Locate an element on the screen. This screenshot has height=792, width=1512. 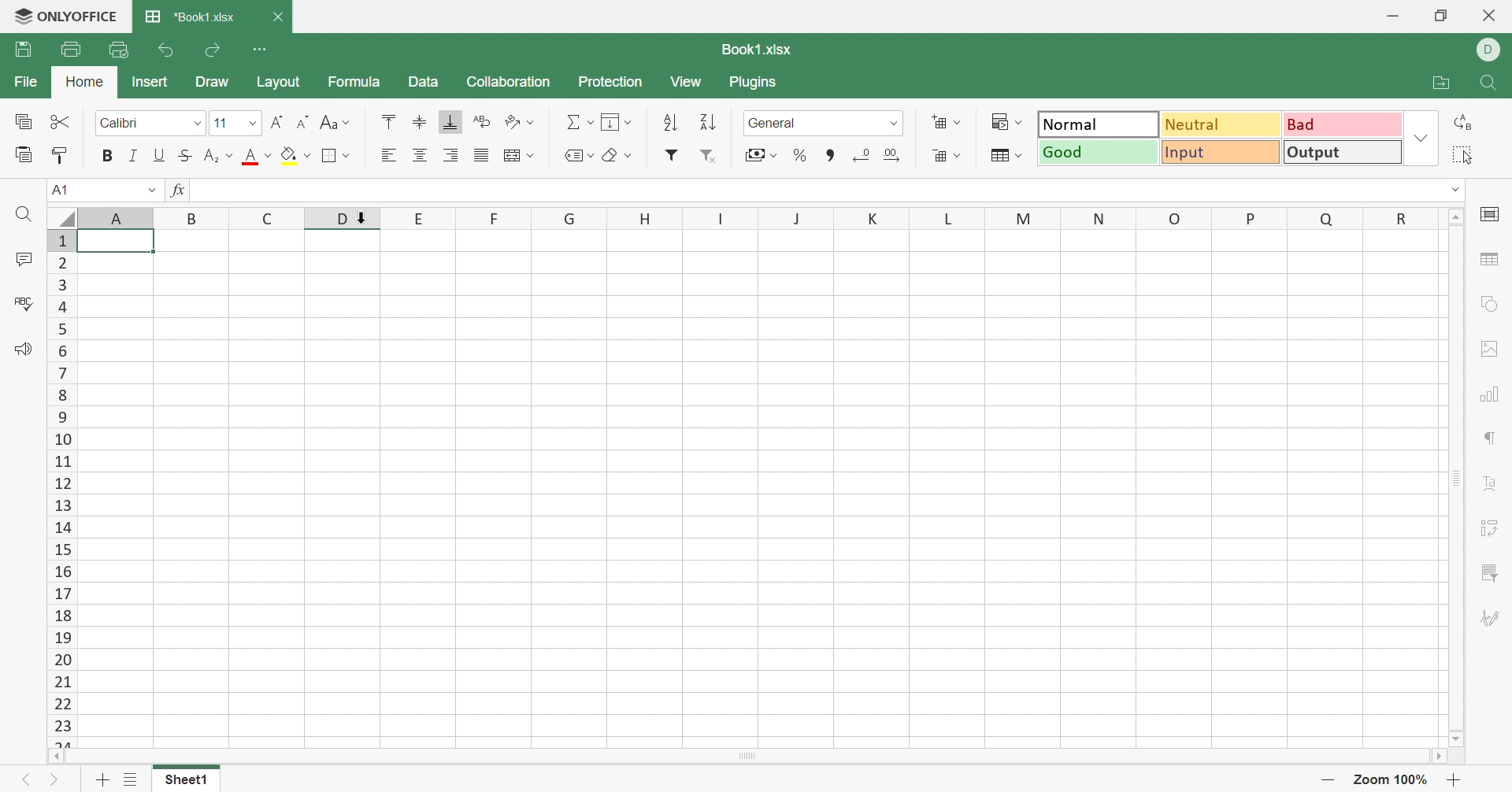
Normal is located at coordinates (1095, 123).